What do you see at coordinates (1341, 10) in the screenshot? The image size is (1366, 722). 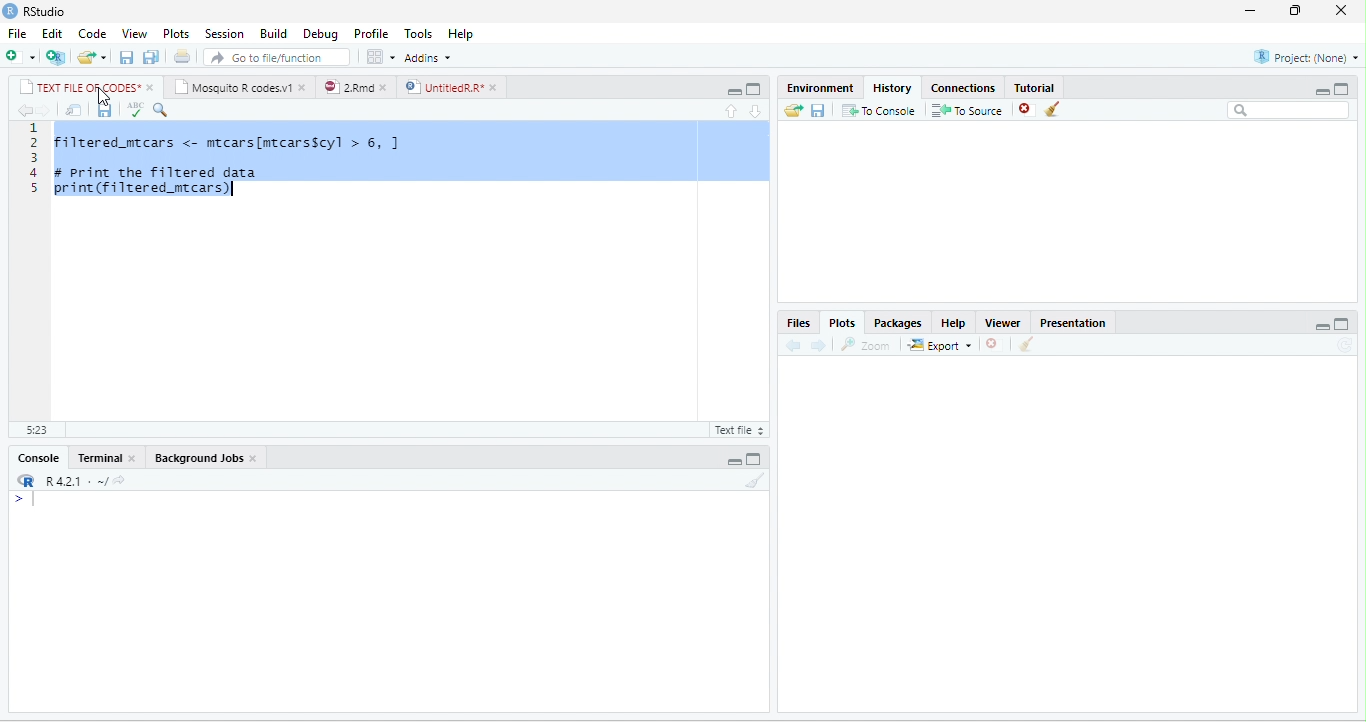 I see `close` at bounding box center [1341, 10].